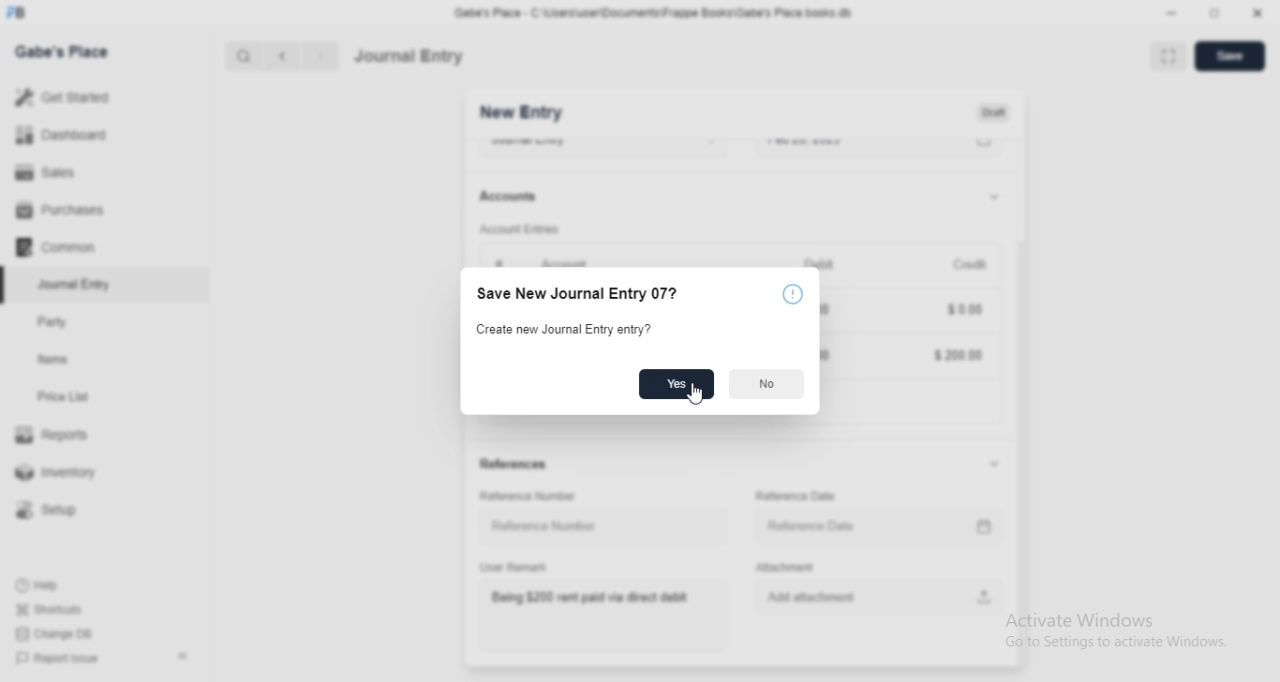  I want to click on no, so click(765, 386).